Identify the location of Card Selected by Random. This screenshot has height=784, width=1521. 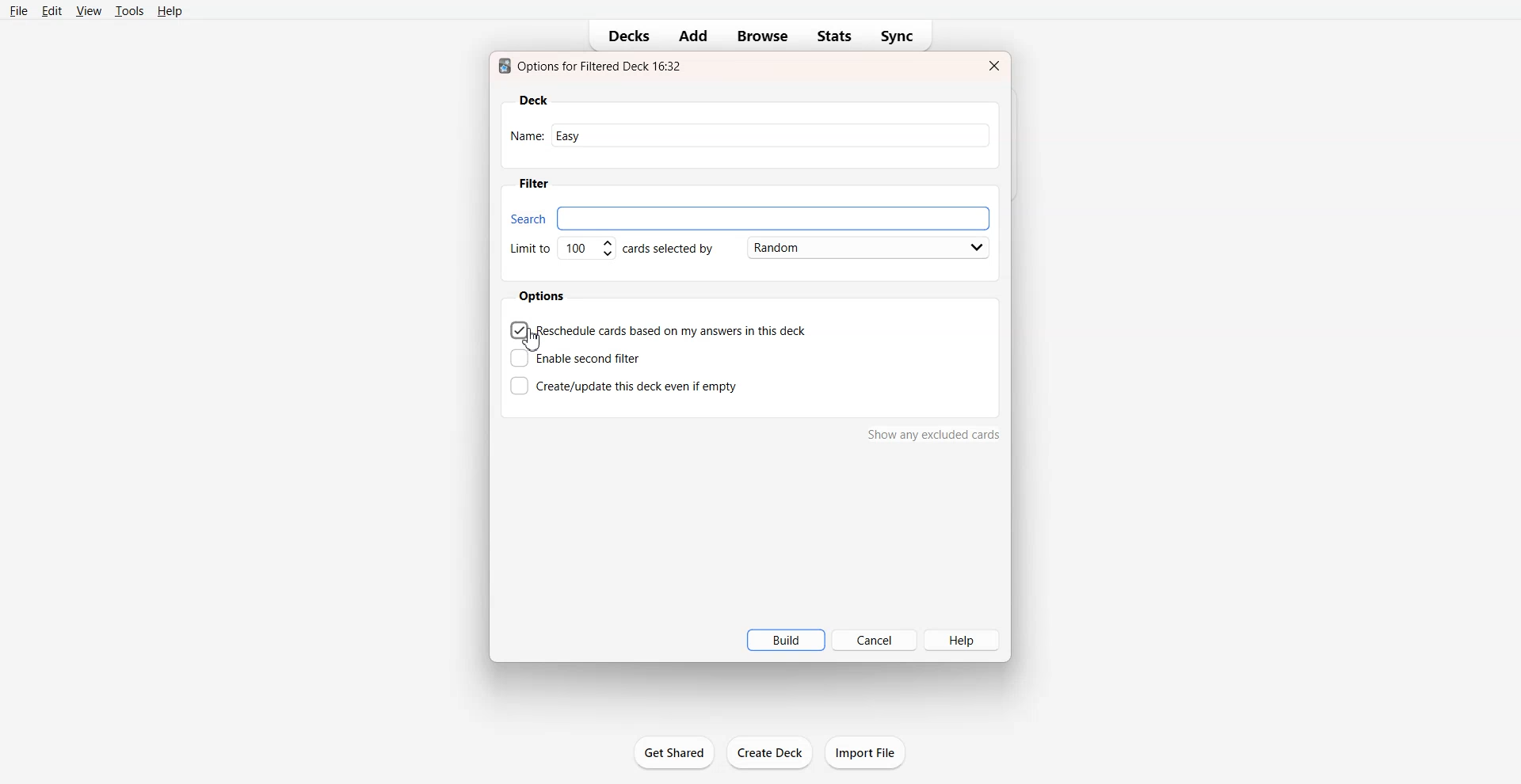
(807, 247).